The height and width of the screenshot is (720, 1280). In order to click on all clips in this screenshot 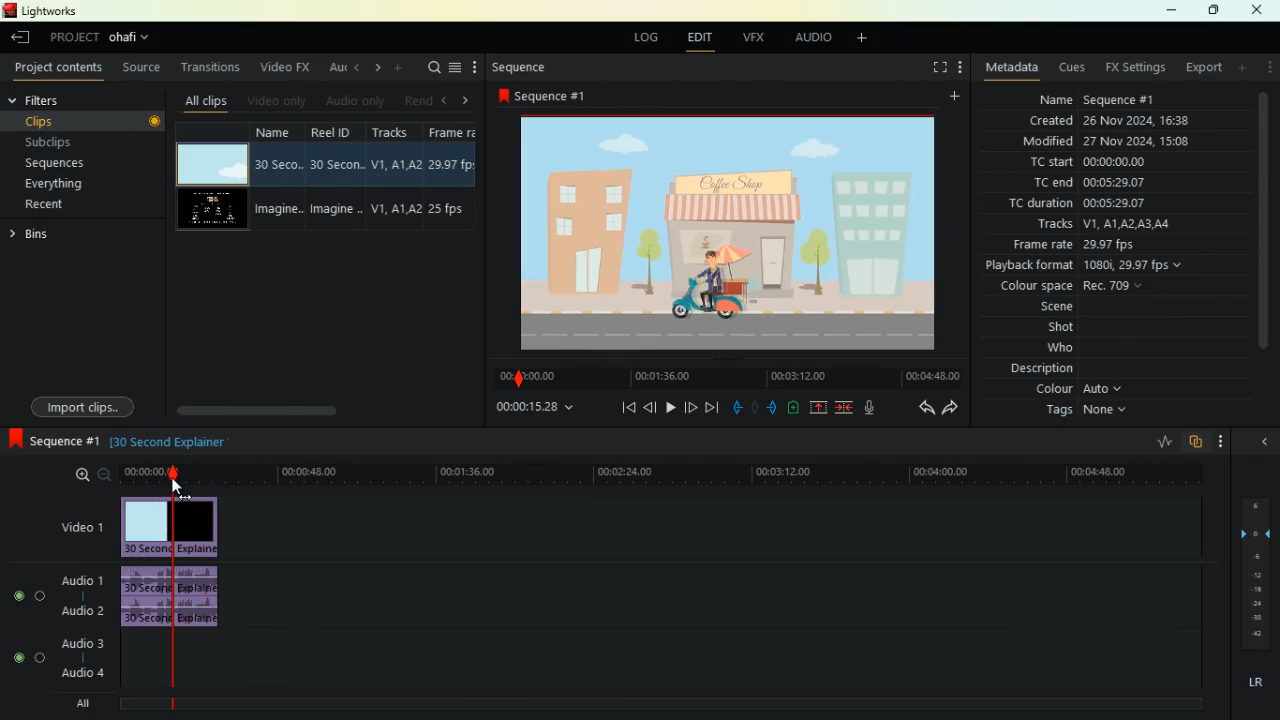, I will do `click(208, 102)`.